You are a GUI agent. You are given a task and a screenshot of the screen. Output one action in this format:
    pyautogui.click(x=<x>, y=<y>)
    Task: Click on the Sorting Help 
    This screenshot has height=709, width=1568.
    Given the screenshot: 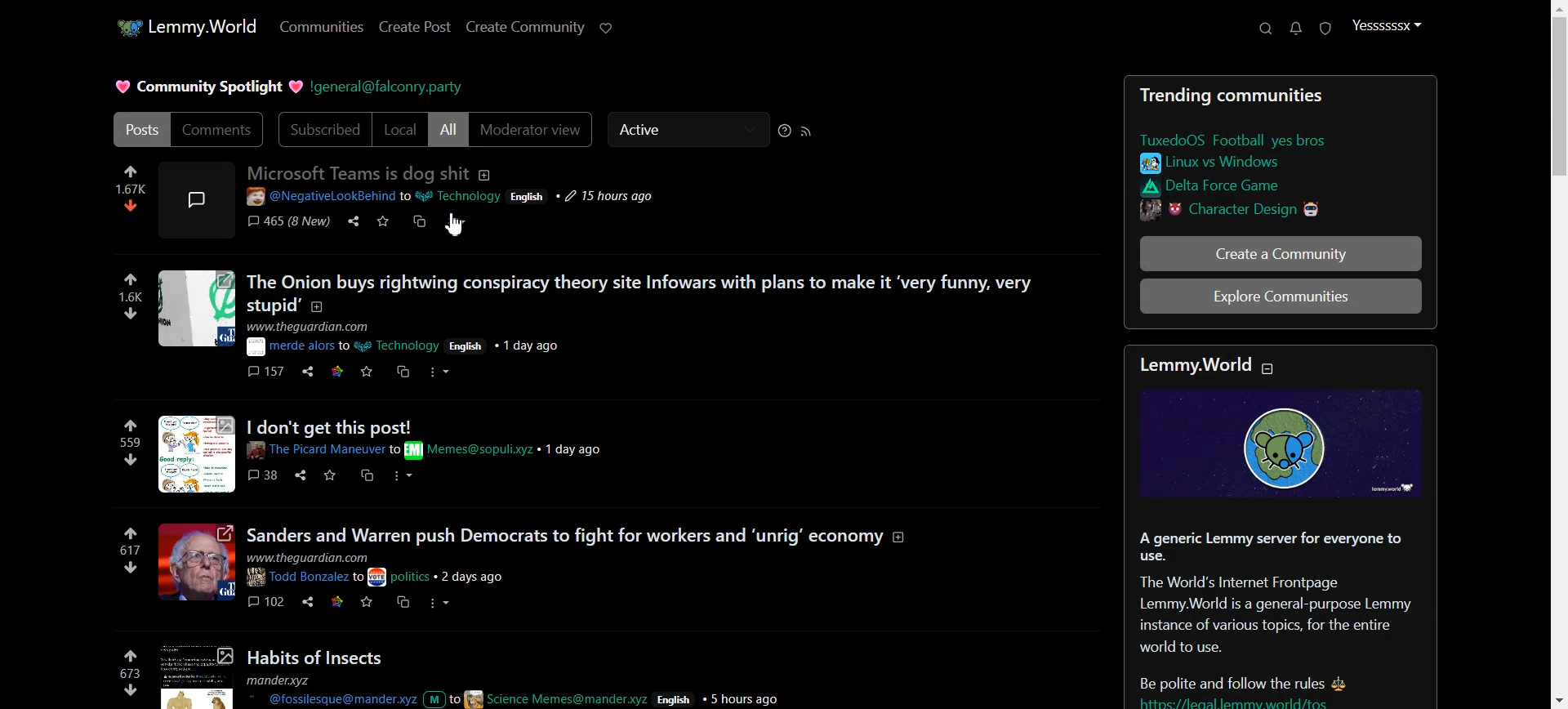 What is the action you would take?
    pyautogui.click(x=784, y=130)
    